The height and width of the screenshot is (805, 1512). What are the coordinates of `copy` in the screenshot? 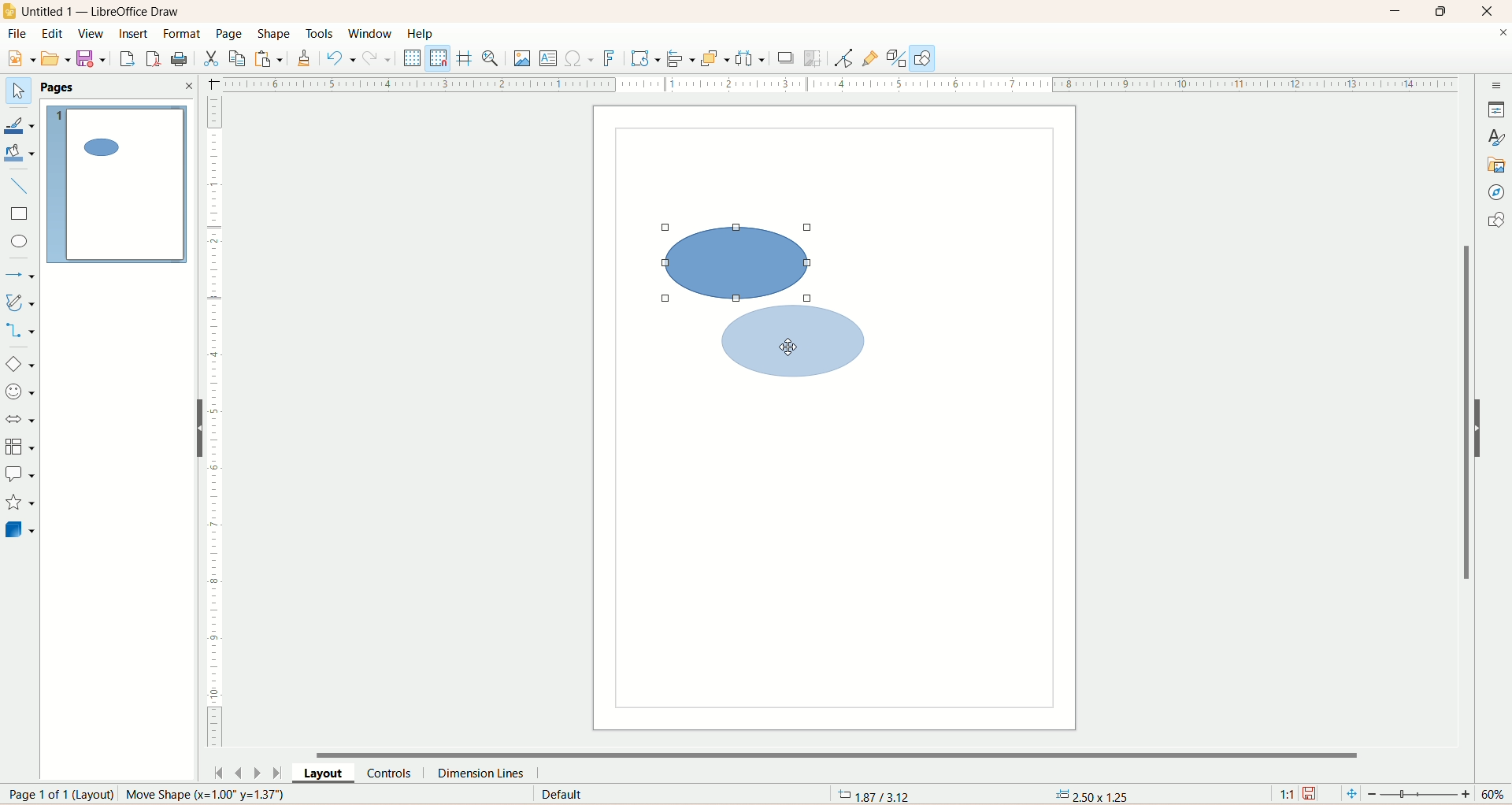 It's located at (239, 58).